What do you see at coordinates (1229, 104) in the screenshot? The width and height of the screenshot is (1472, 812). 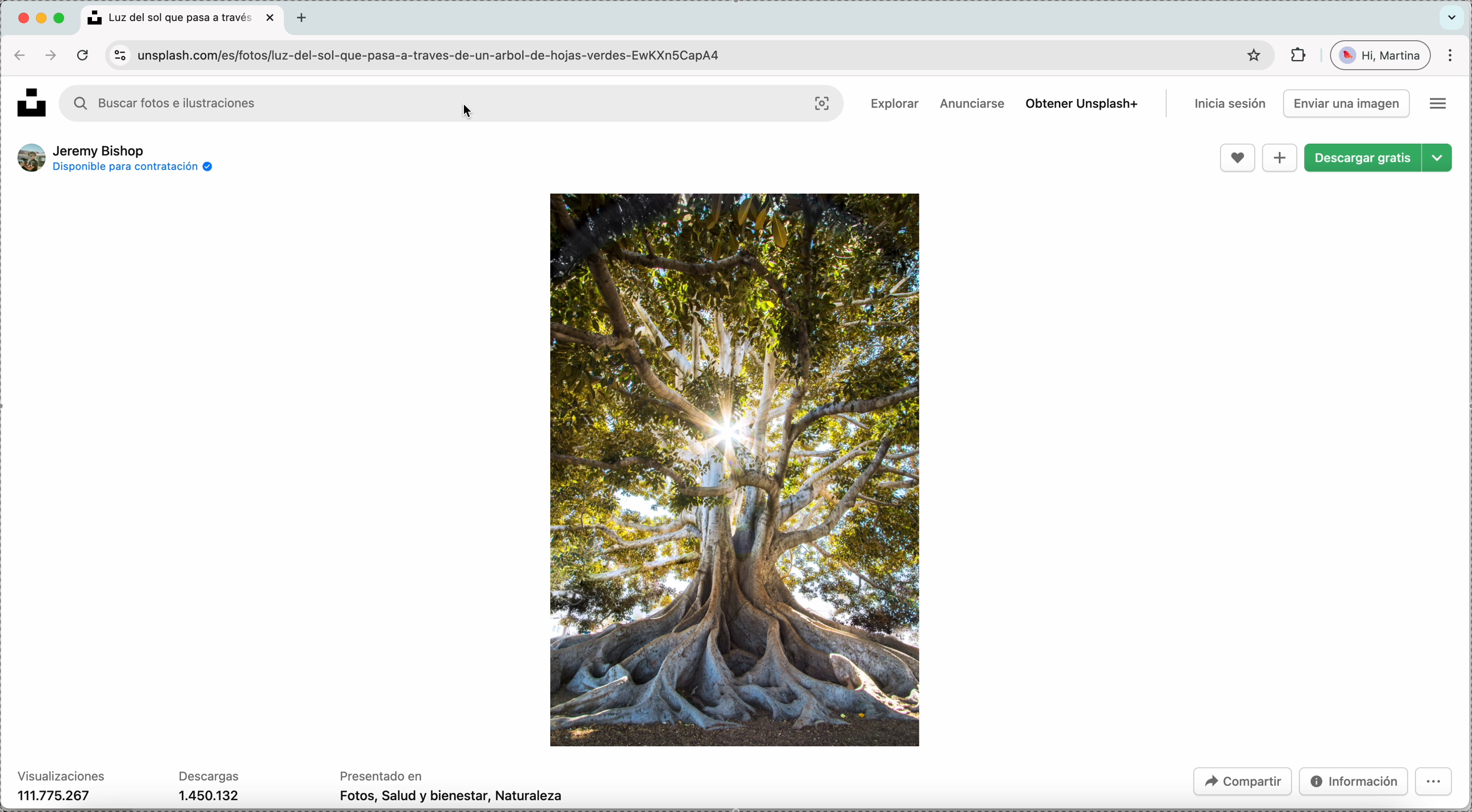 I see `log in` at bounding box center [1229, 104].